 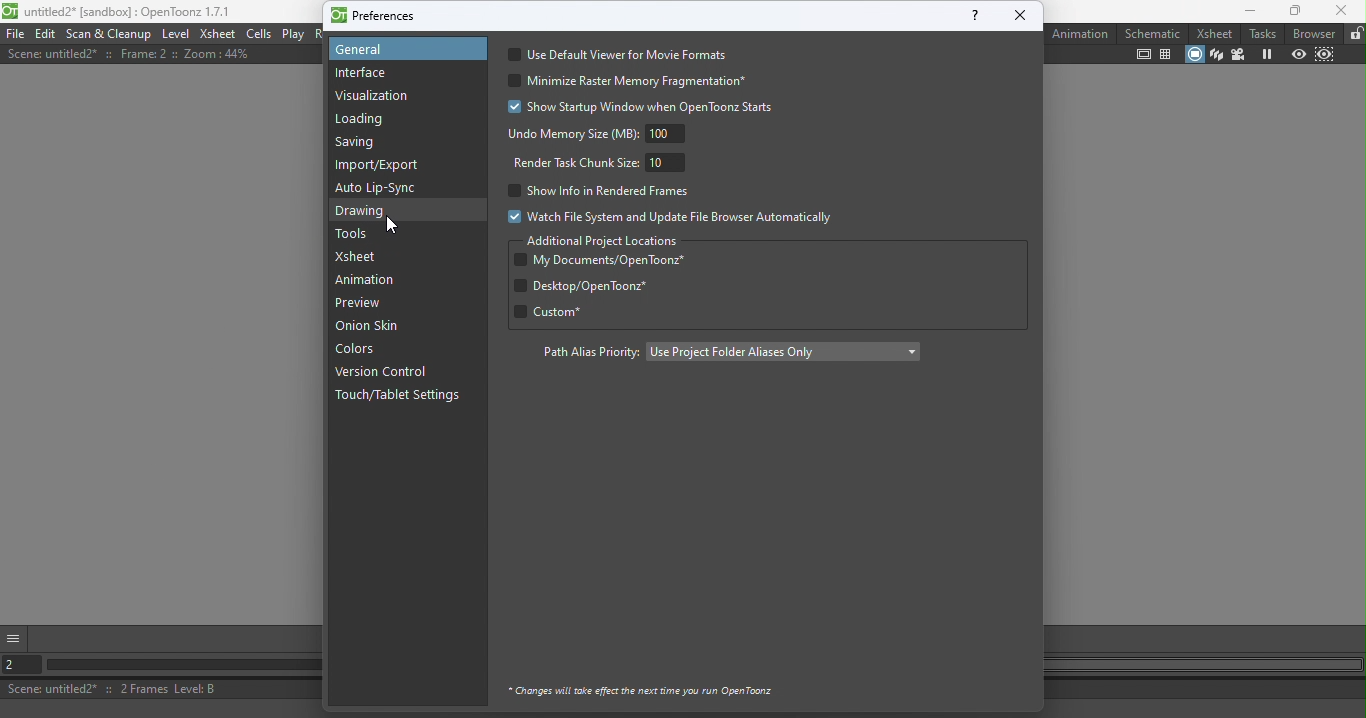 What do you see at coordinates (1081, 33) in the screenshot?
I see `Animation` at bounding box center [1081, 33].